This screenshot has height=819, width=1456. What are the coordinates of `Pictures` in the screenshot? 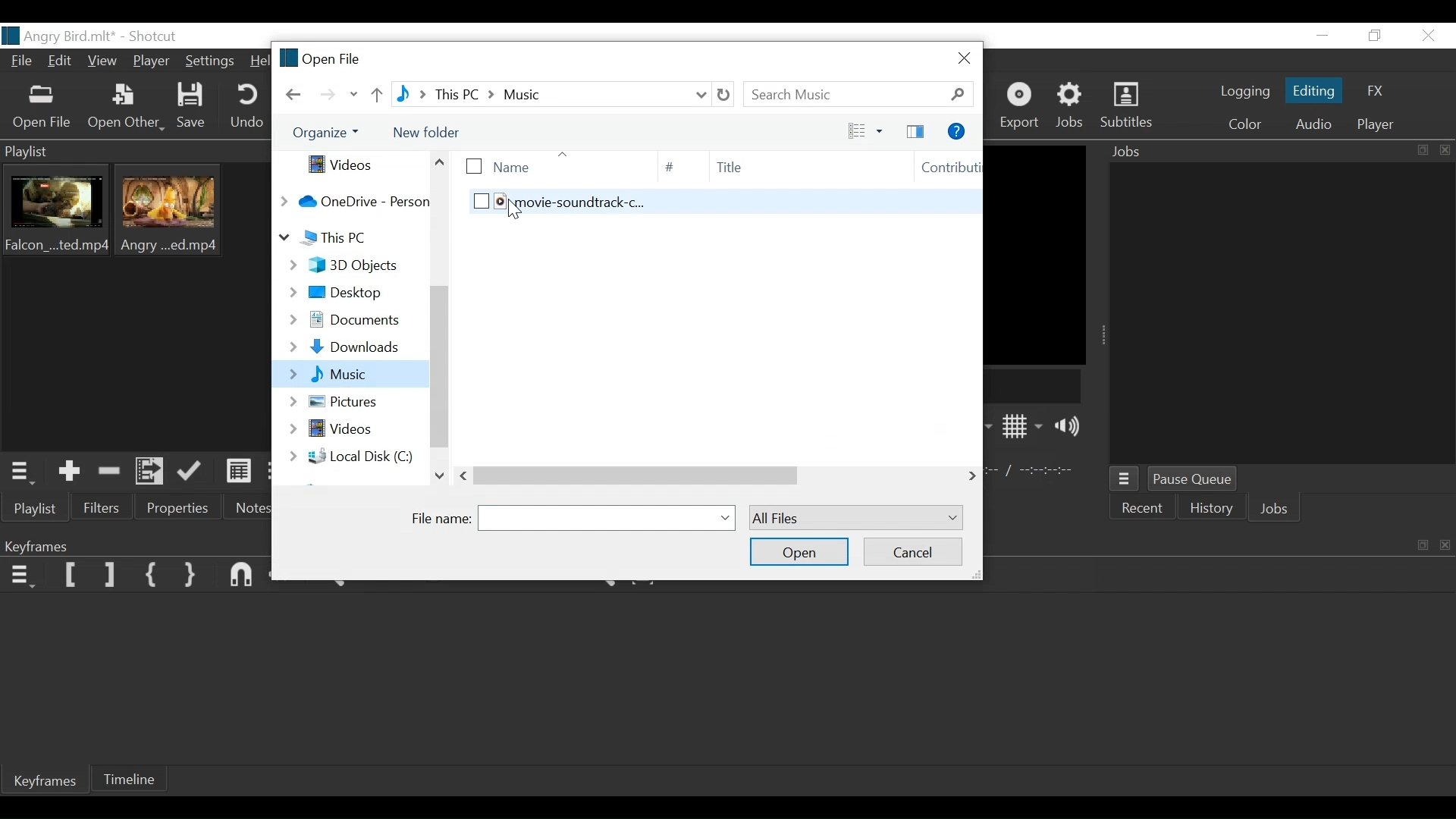 It's located at (350, 400).